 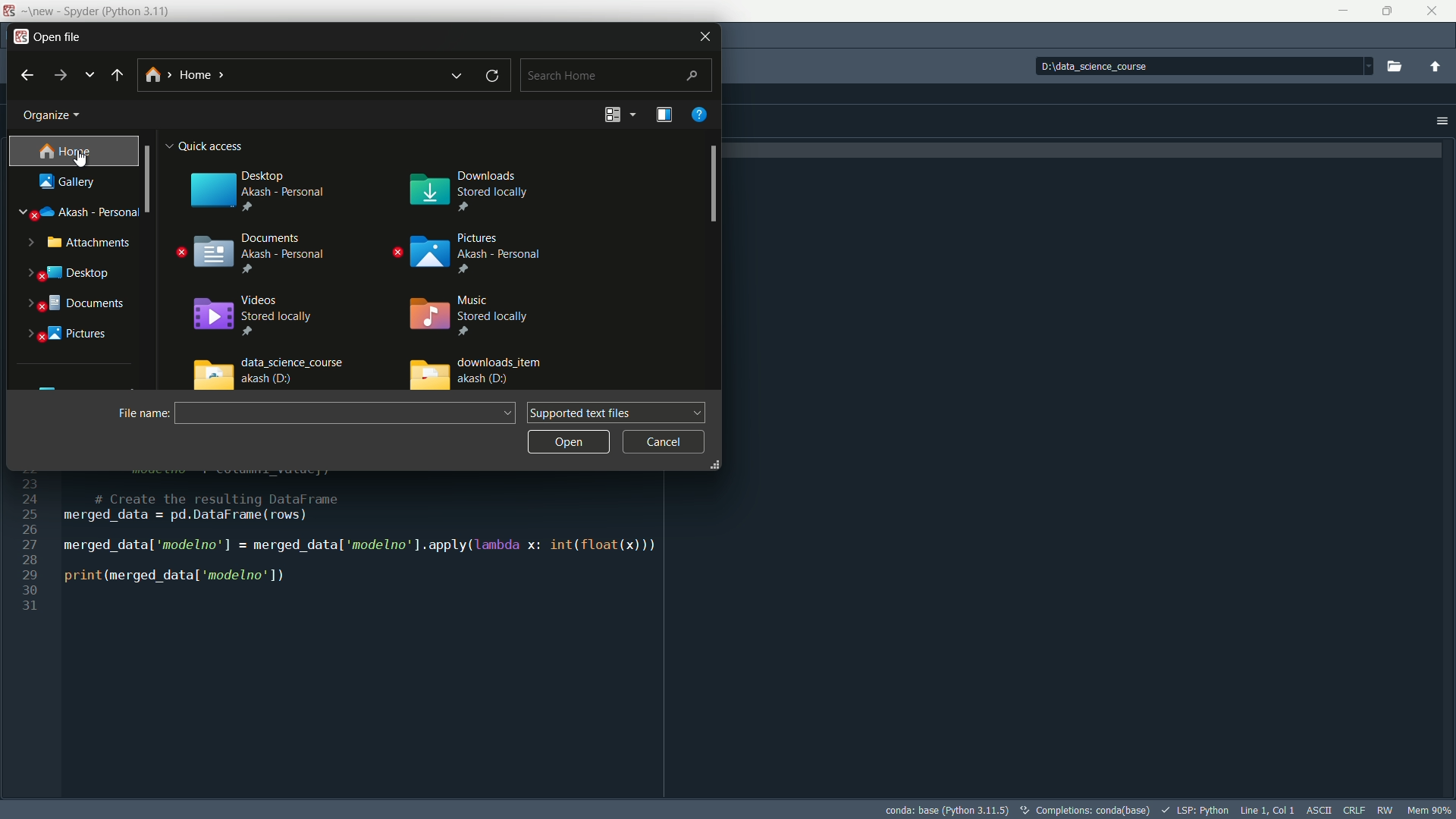 I want to click on resize, so click(x=711, y=464).